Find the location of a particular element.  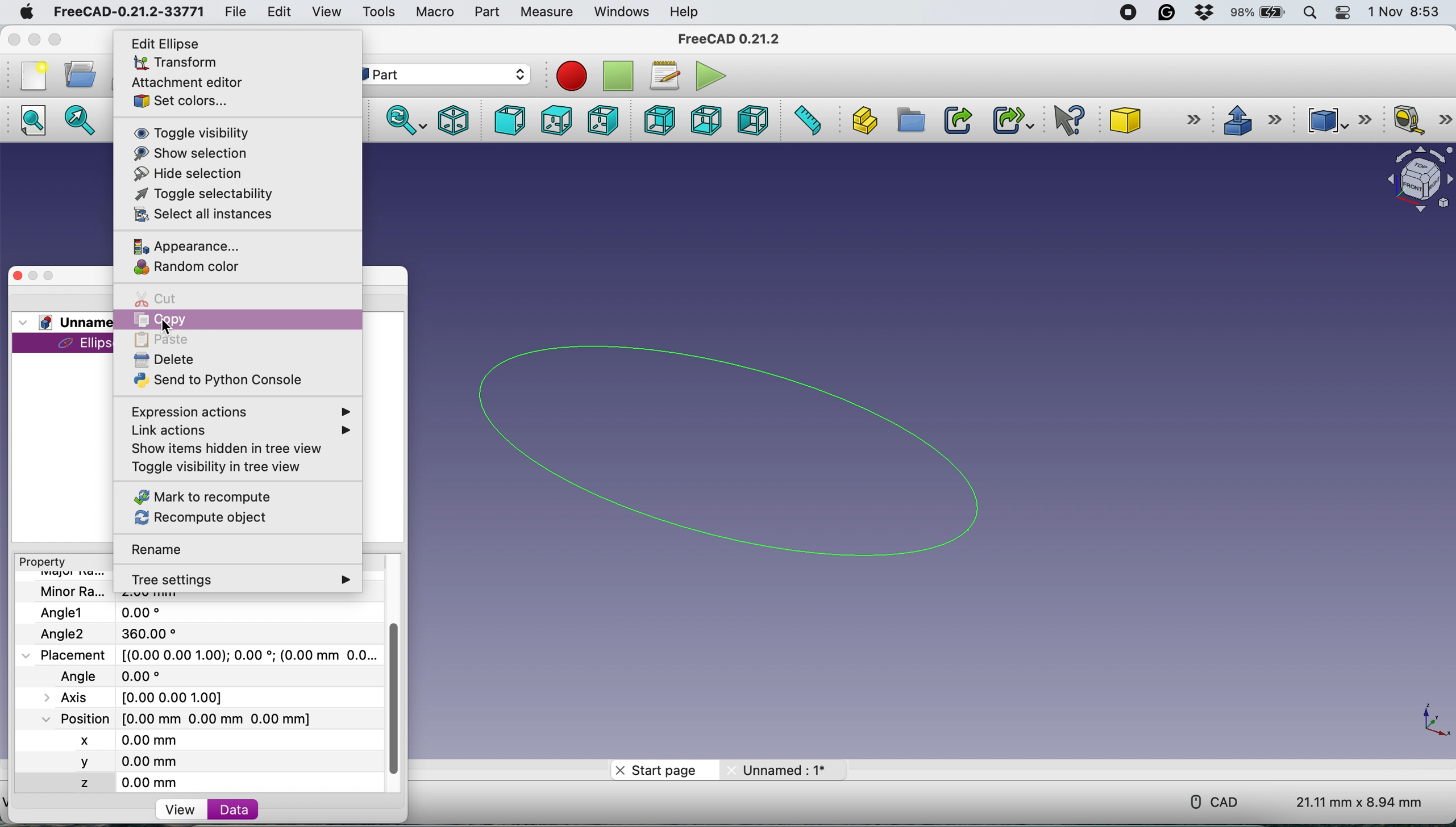

make link is located at coordinates (955, 120).